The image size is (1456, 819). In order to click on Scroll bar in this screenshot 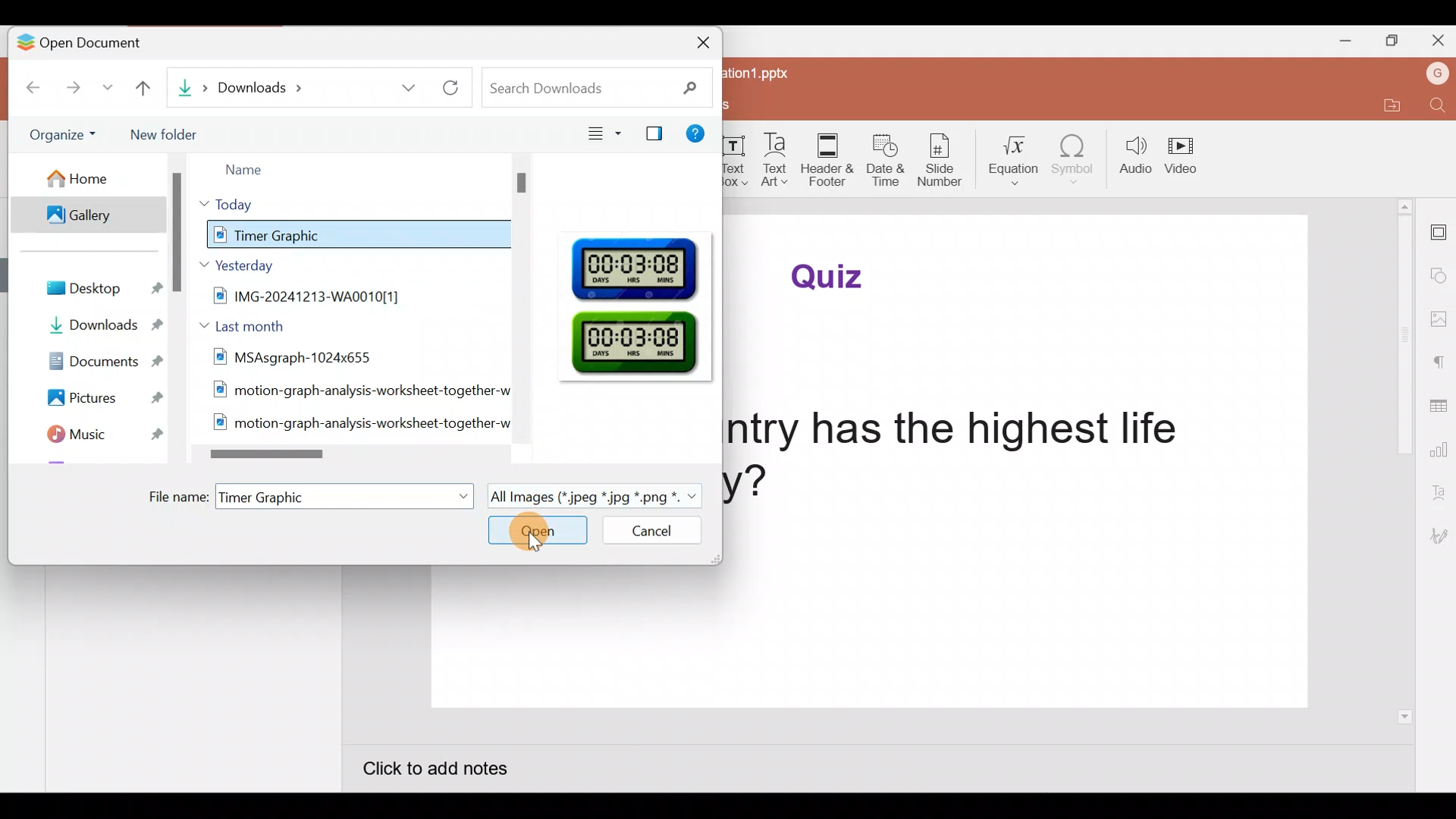, I will do `click(516, 307)`.